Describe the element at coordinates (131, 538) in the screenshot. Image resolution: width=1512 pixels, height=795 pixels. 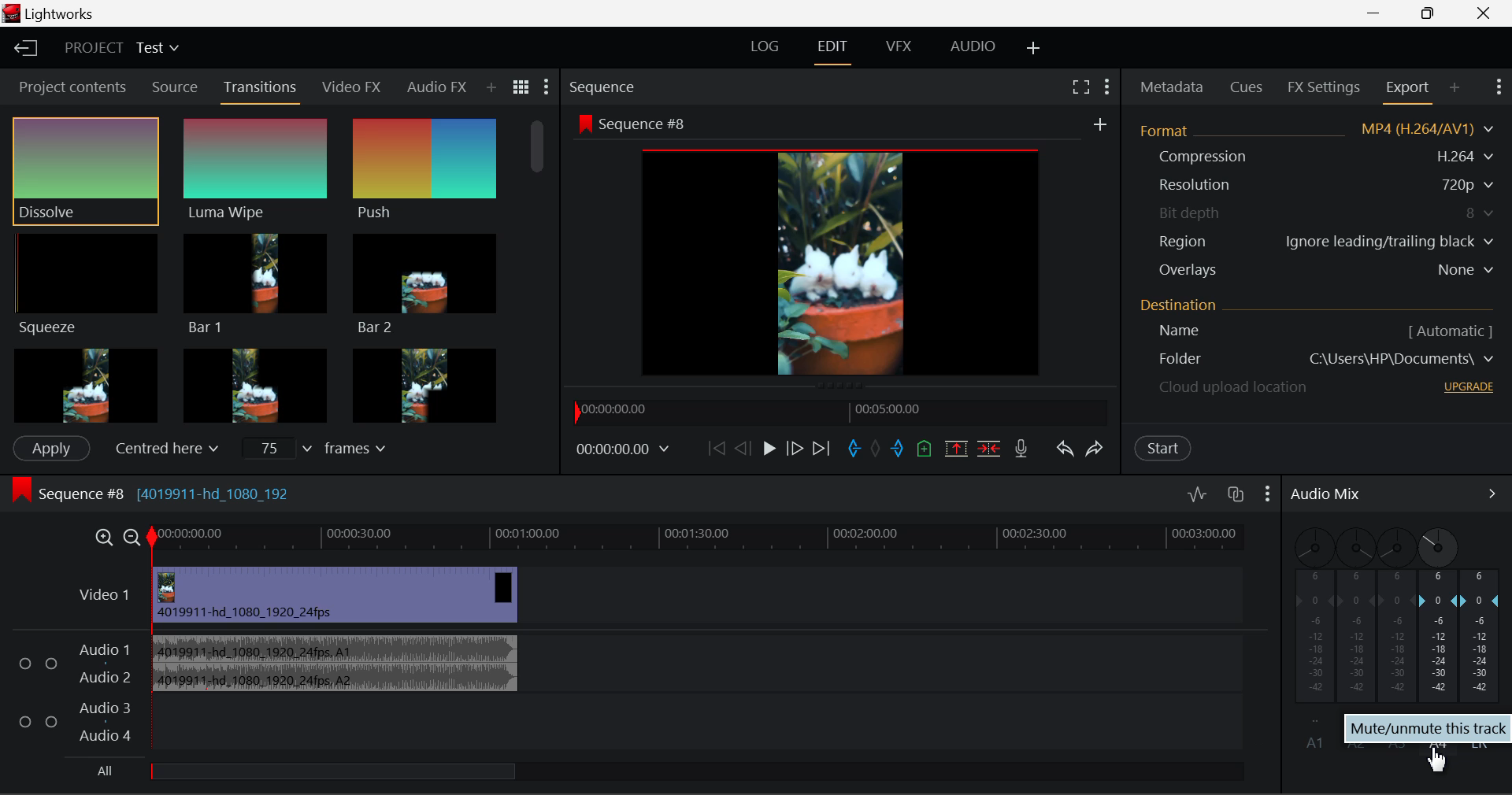
I see `Timeline Zoom Out` at that location.